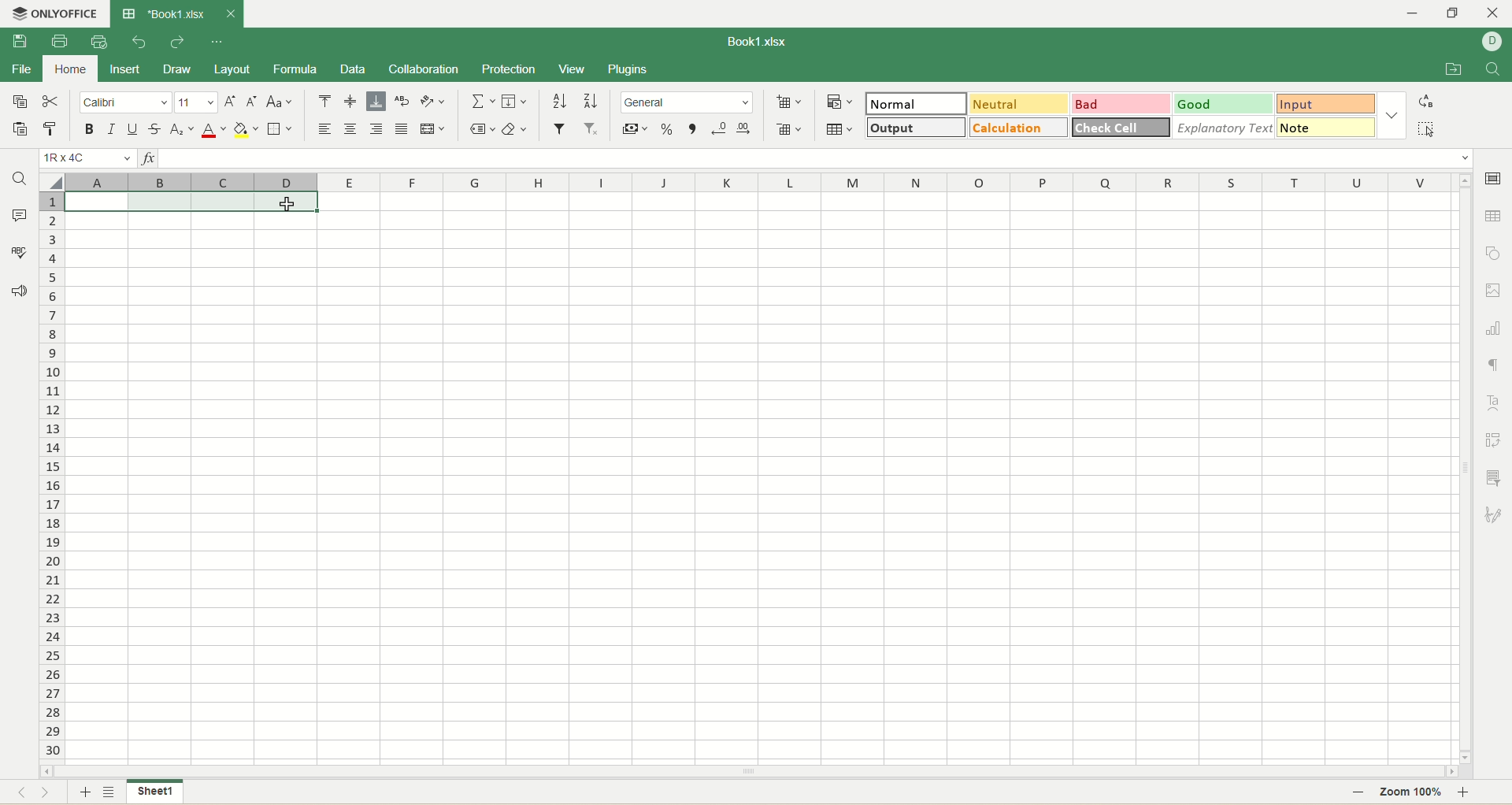 The image size is (1512, 805). What do you see at coordinates (1493, 214) in the screenshot?
I see `table` at bounding box center [1493, 214].